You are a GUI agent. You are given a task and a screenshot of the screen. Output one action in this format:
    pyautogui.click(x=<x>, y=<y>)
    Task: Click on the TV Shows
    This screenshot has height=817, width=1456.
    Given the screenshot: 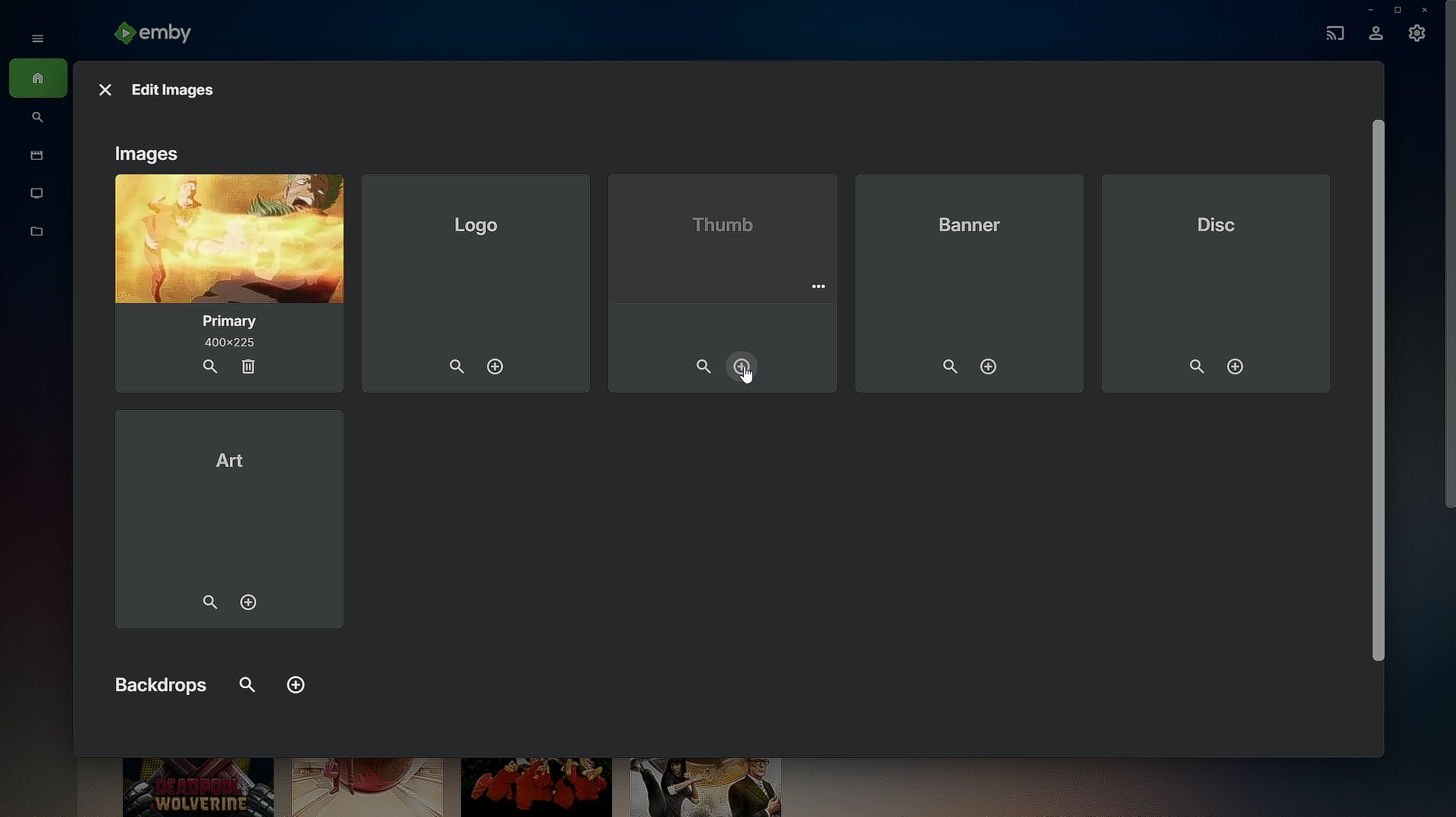 What is the action you would take?
    pyautogui.click(x=38, y=194)
    